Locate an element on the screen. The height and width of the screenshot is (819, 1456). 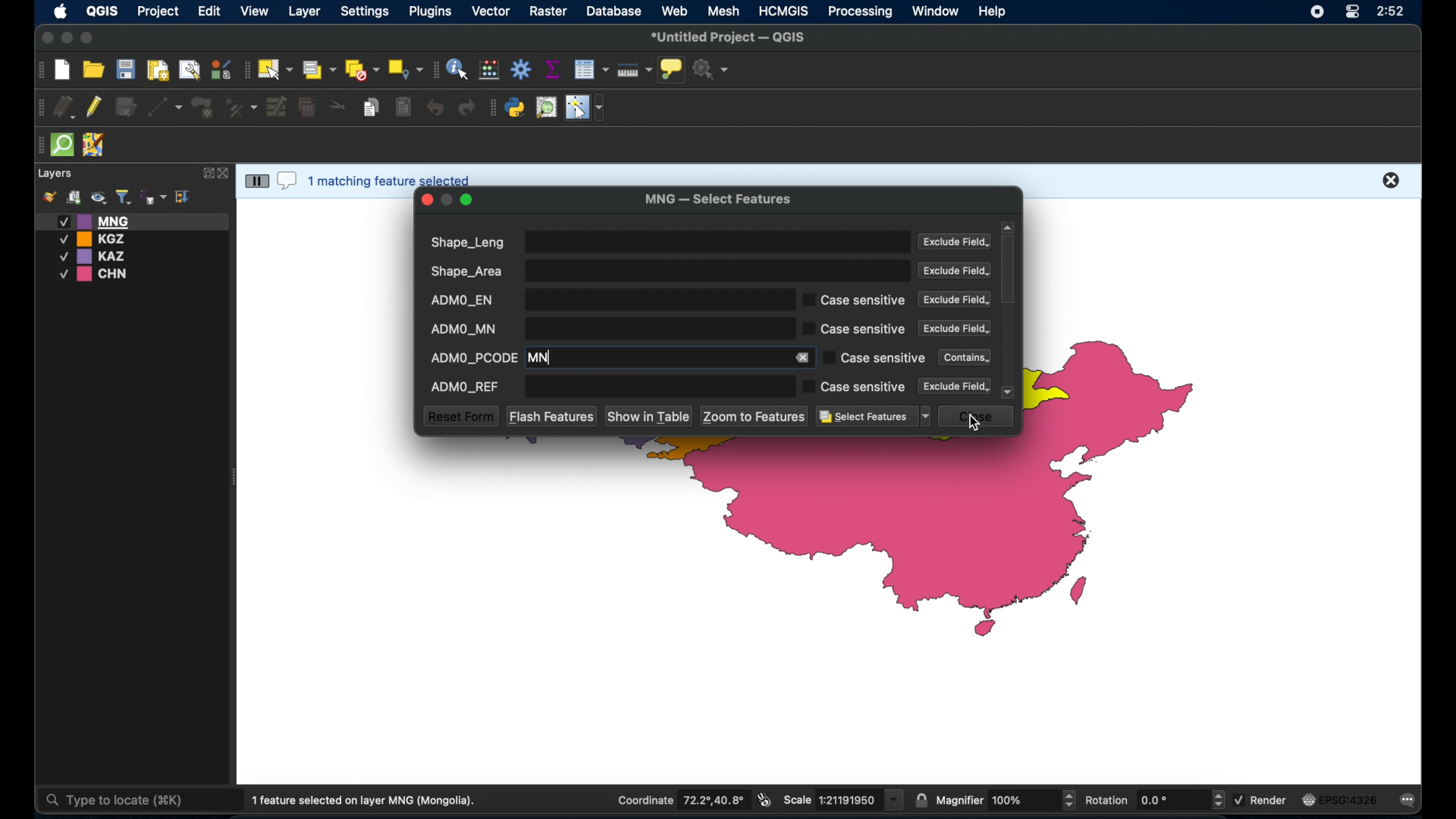
vector is located at coordinates (492, 11).